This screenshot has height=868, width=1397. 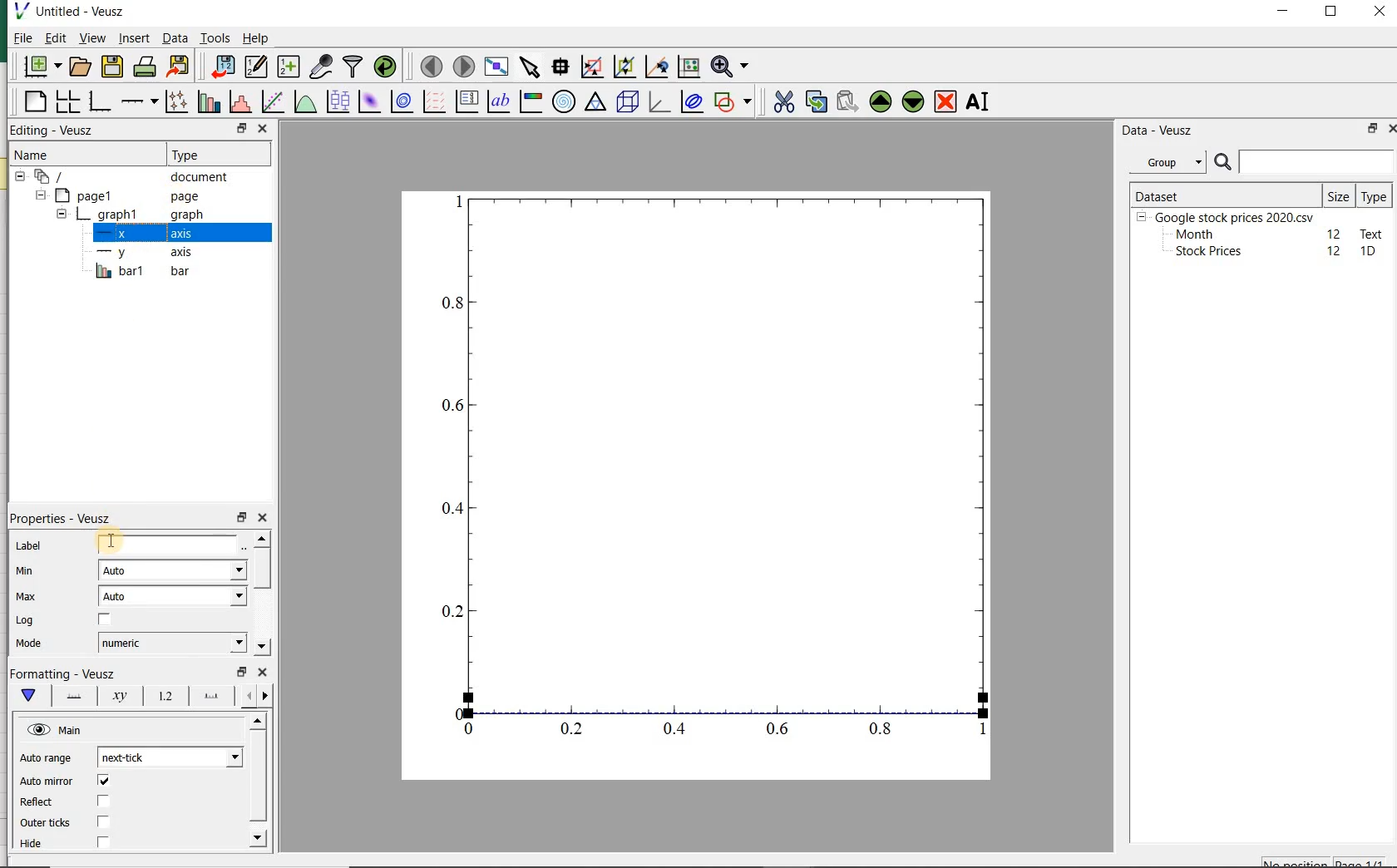 I want to click on document, so click(x=129, y=177).